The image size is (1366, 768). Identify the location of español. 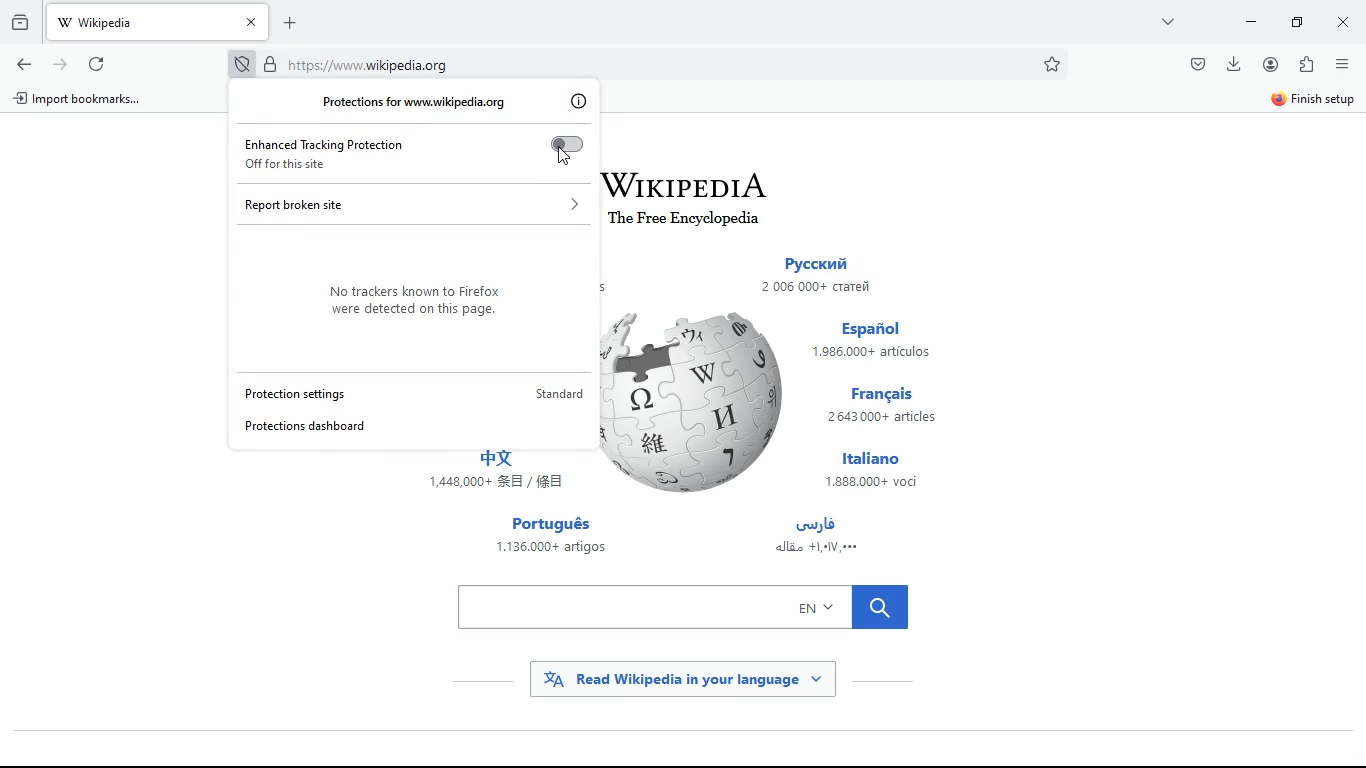
(878, 341).